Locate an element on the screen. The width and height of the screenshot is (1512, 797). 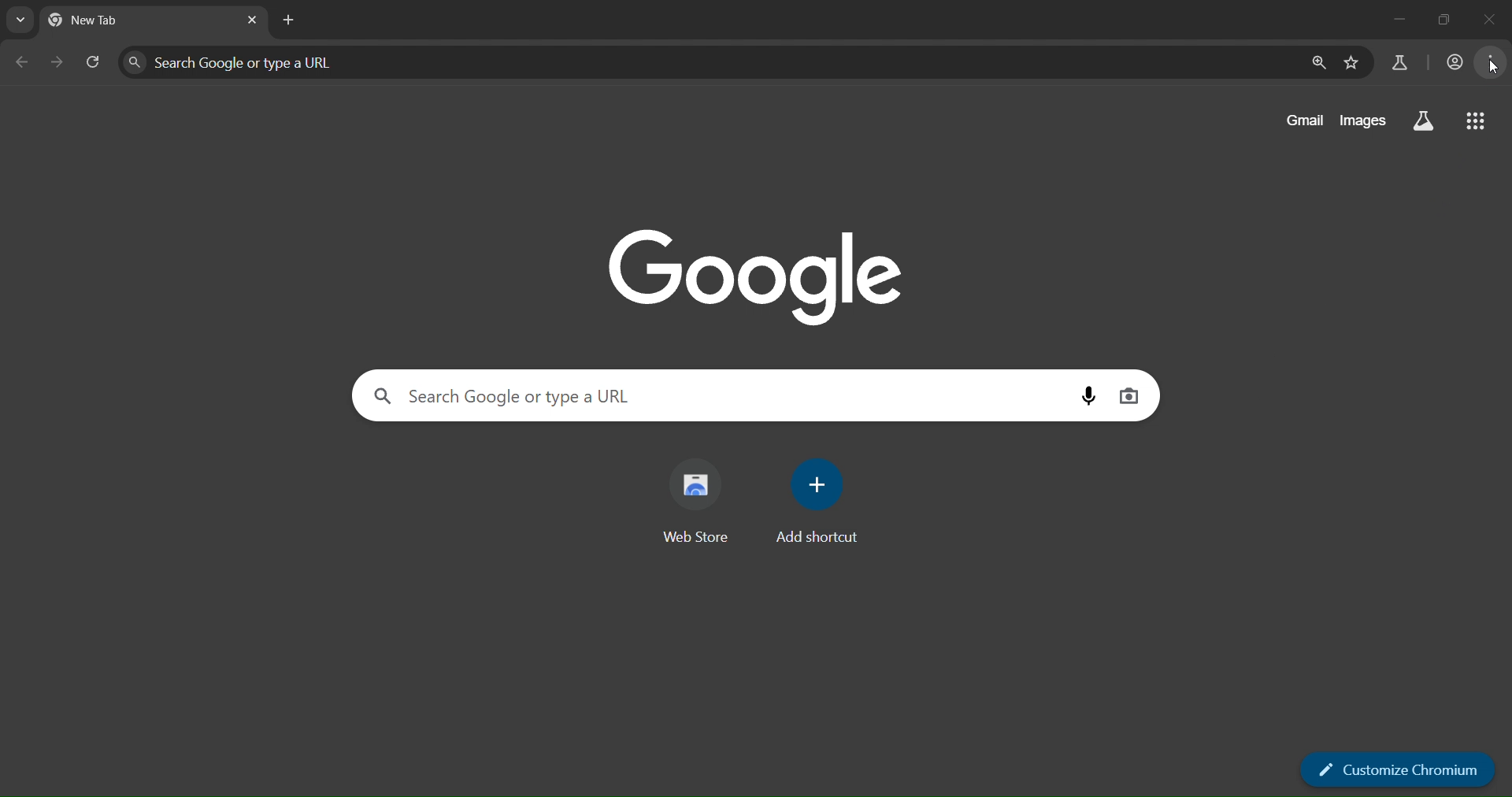
image search is located at coordinates (1129, 398).